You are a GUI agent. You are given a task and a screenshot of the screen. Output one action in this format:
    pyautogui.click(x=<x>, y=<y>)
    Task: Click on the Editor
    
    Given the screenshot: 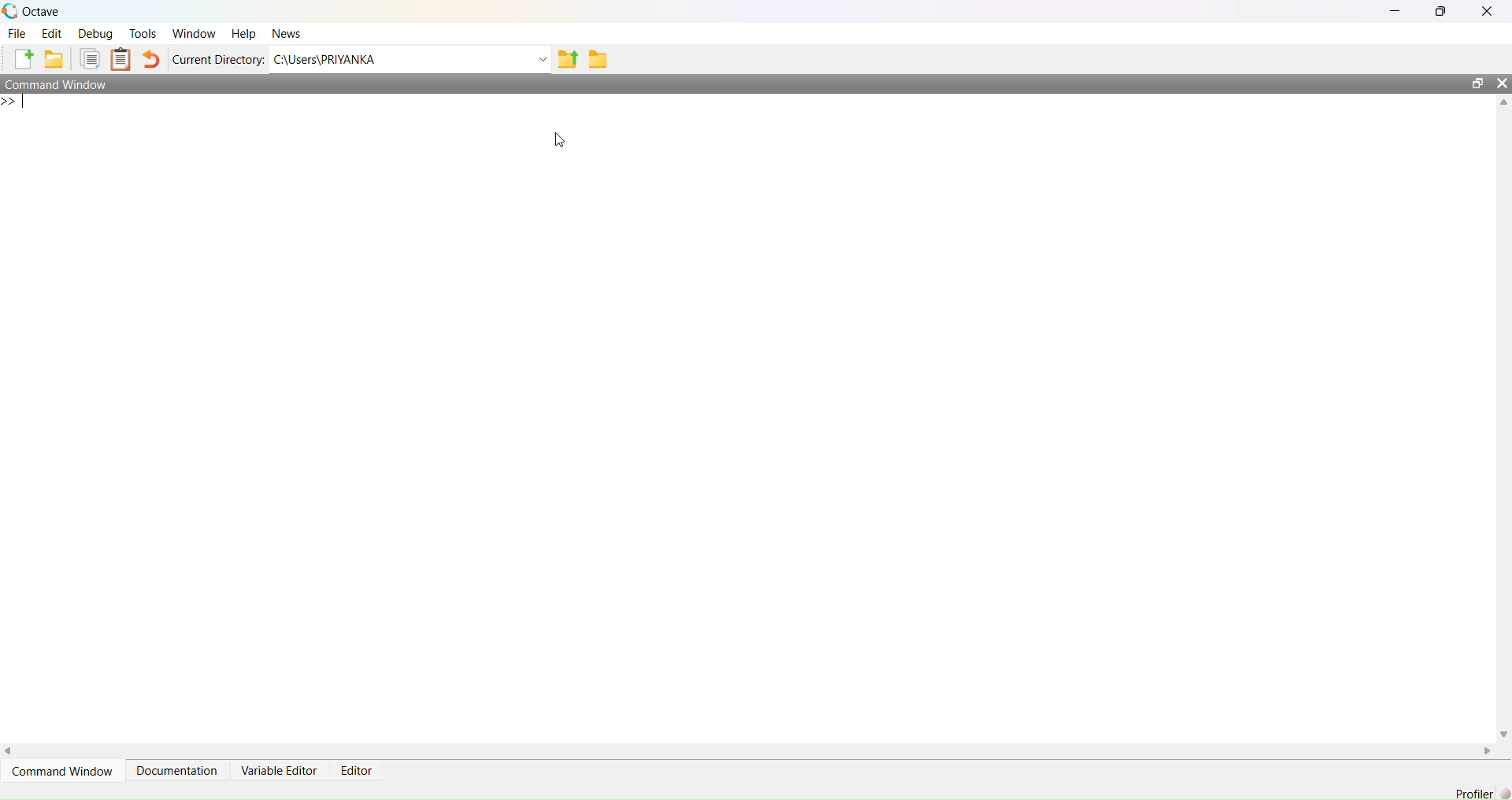 What is the action you would take?
    pyautogui.click(x=357, y=770)
    